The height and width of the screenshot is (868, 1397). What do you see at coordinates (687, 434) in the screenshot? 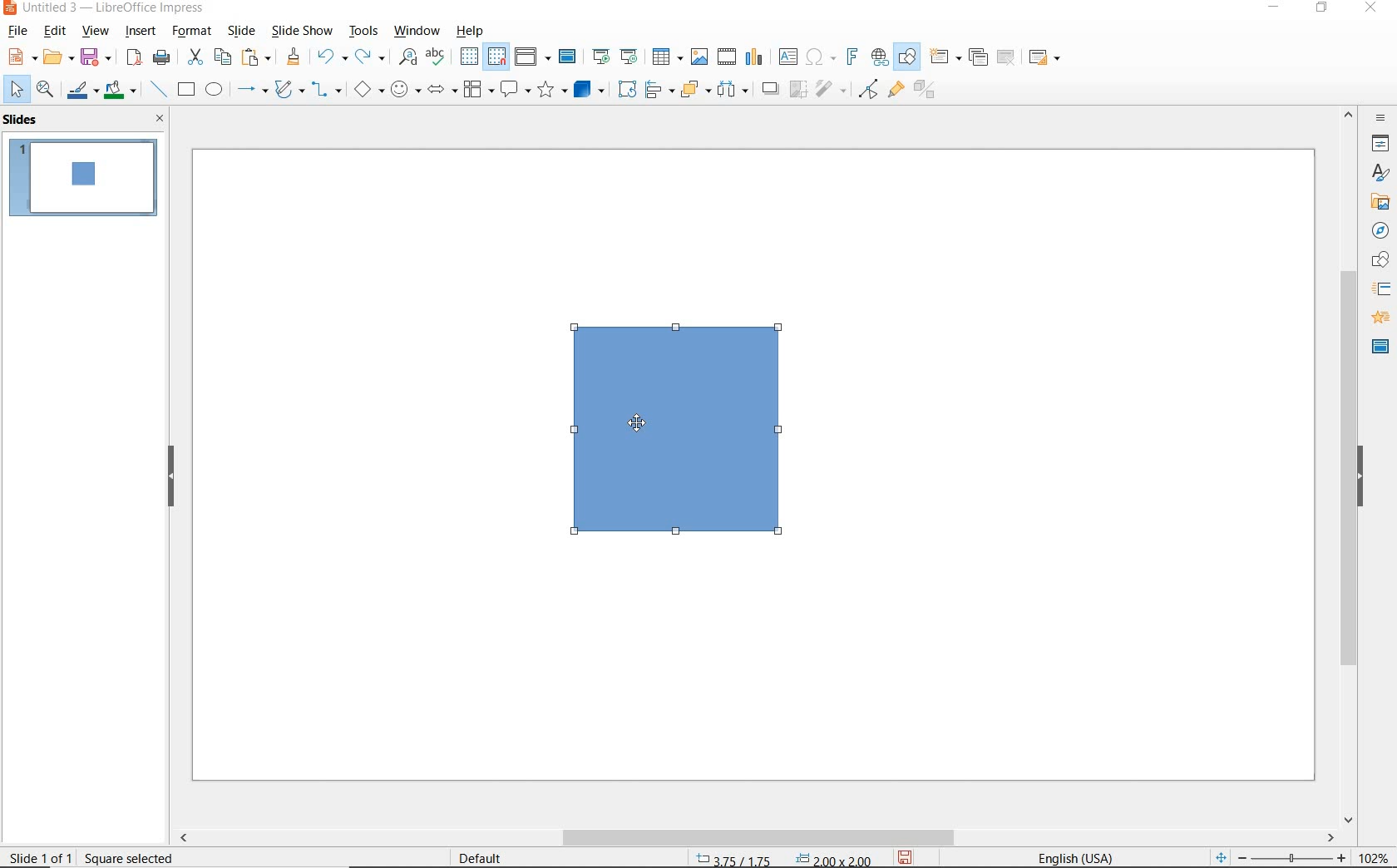
I see `Rectangle Shape` at bounding box center [687, 434].